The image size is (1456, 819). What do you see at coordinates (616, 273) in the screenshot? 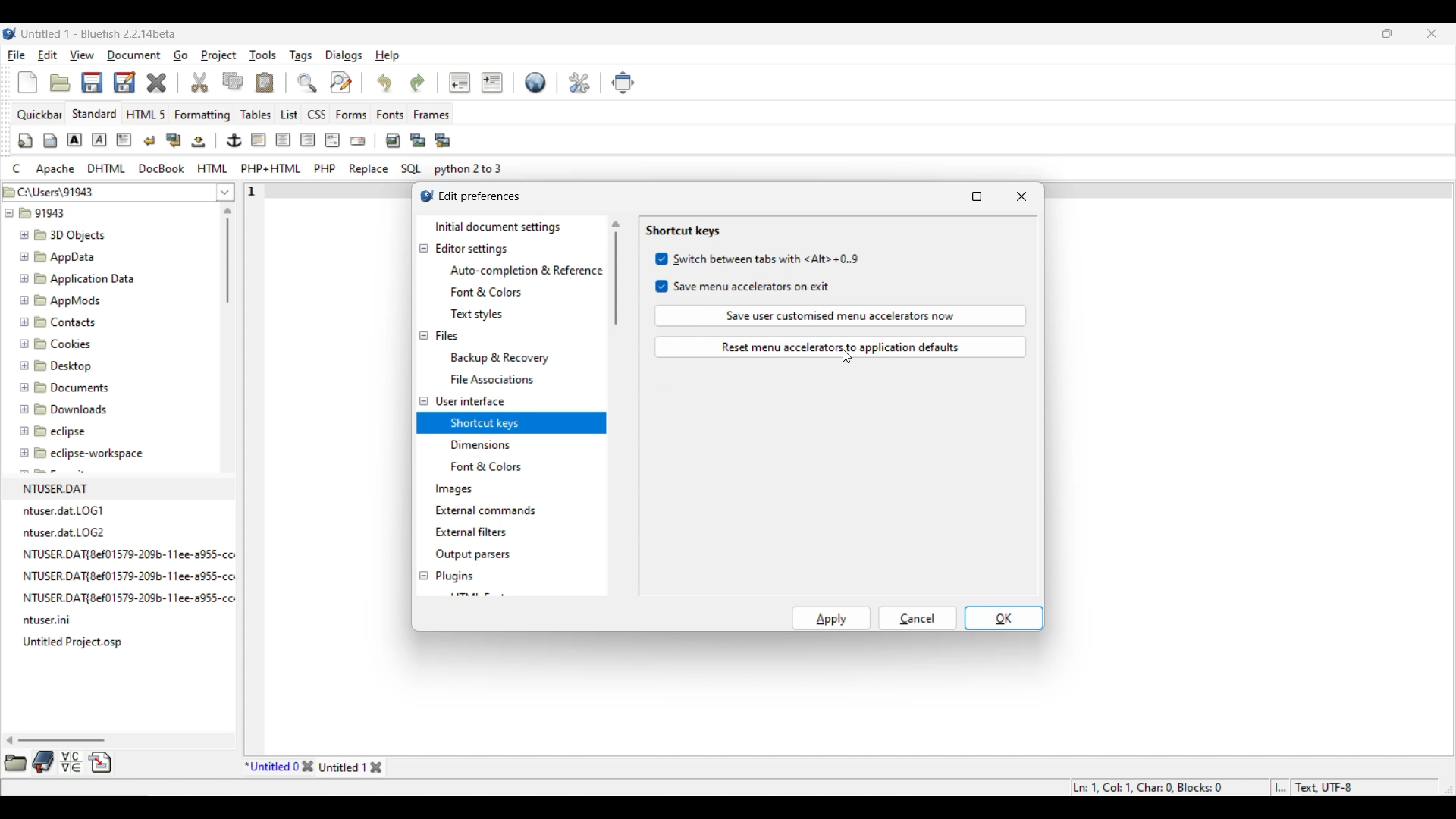
I see `Vertical slide bar` at bounding box center [616, 273].